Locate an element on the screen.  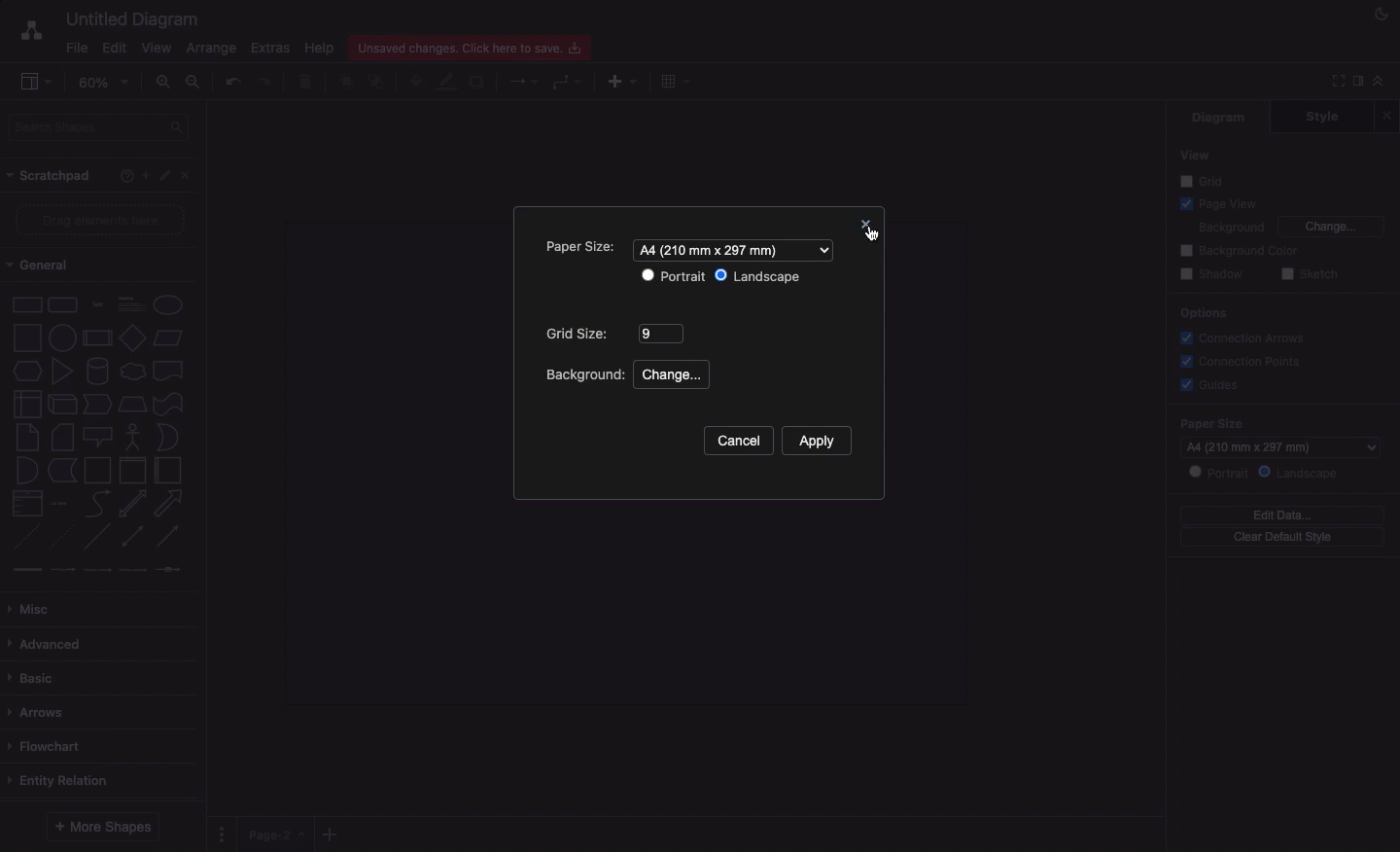
Landscape is located at coordinates (1299, 474).